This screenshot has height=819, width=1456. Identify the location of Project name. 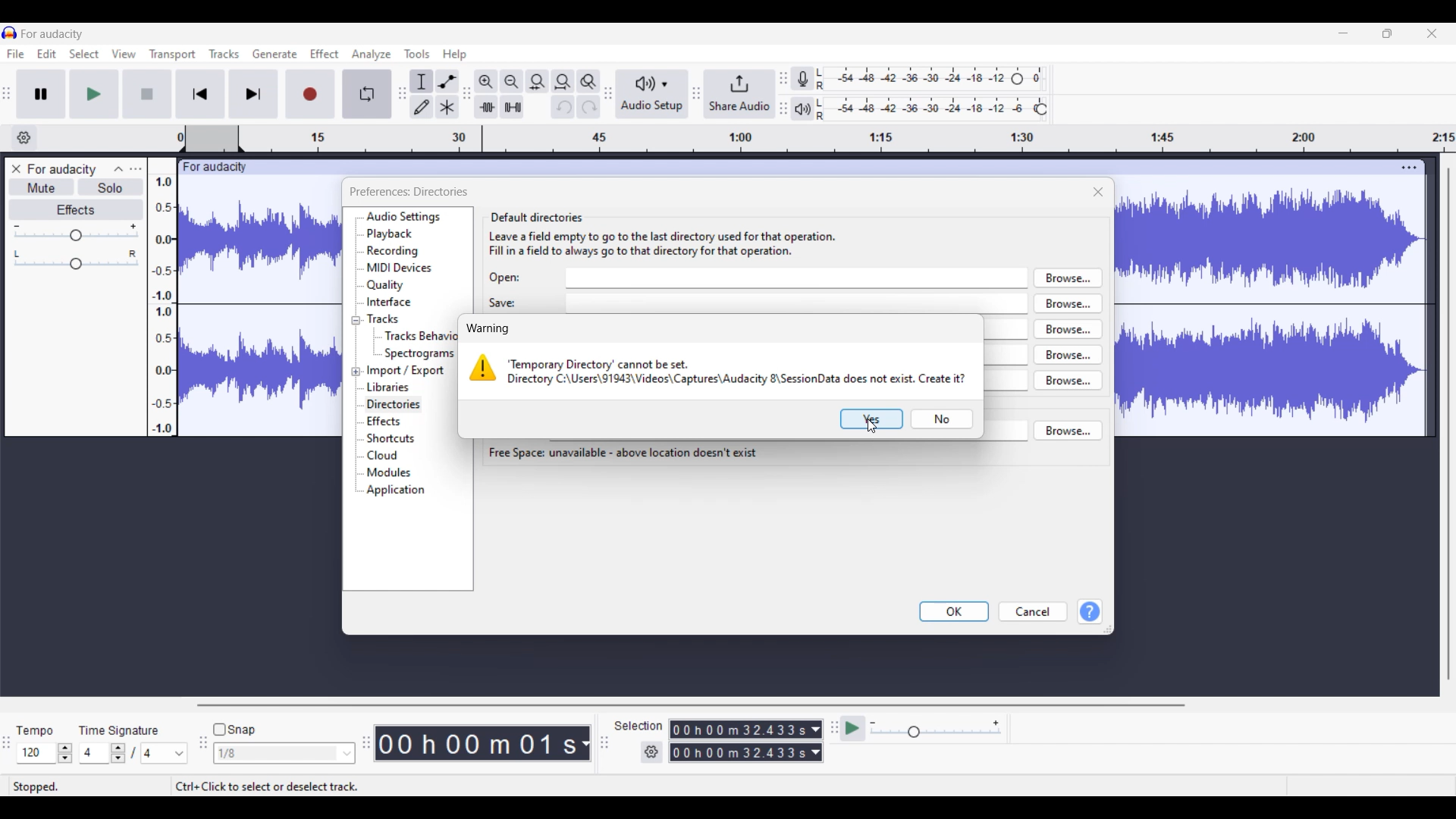
(61, 170).